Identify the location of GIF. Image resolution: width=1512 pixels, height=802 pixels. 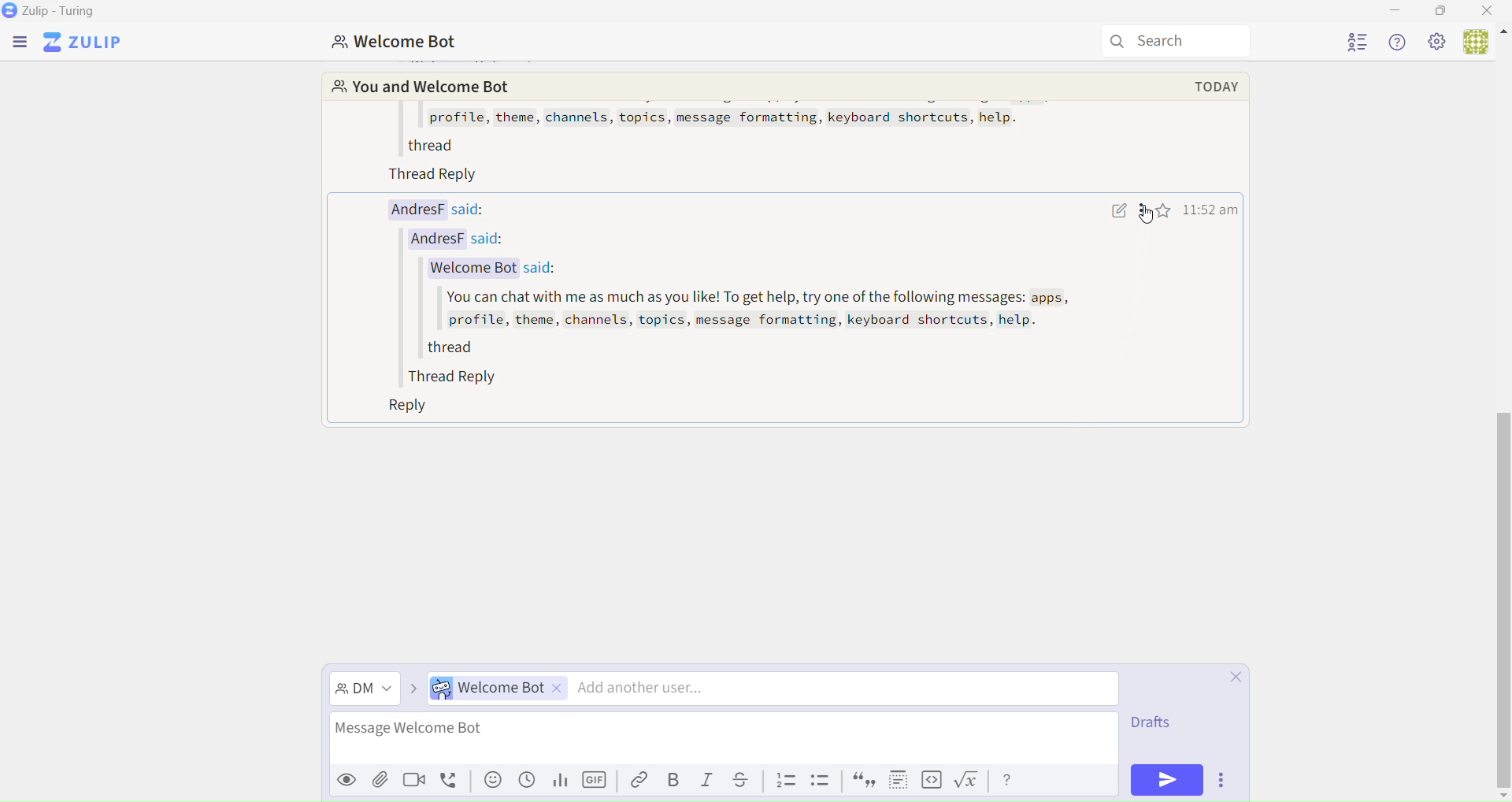
(594, 781).